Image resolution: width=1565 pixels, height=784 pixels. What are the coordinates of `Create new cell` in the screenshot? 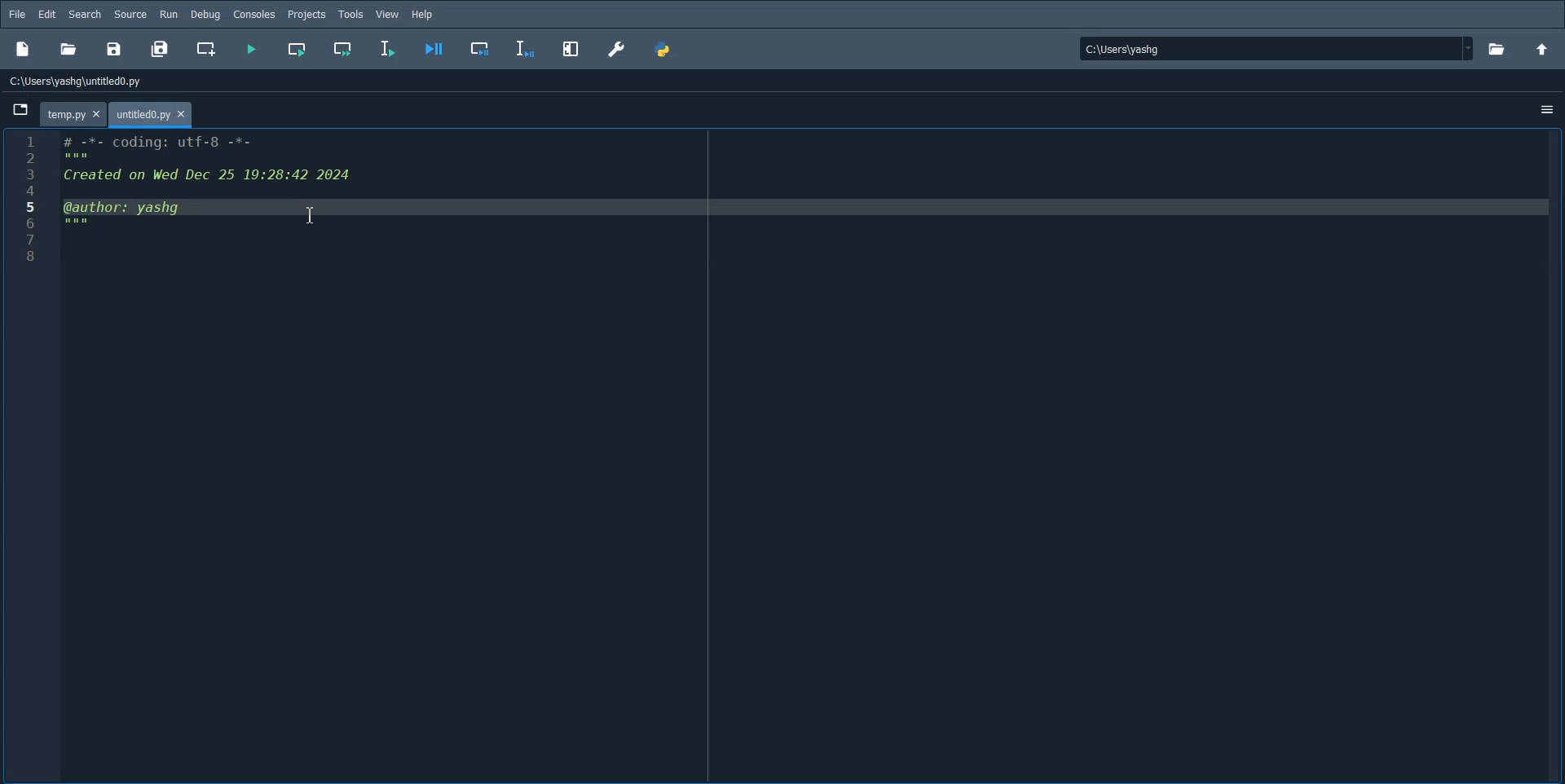 It's located at (205, 49).